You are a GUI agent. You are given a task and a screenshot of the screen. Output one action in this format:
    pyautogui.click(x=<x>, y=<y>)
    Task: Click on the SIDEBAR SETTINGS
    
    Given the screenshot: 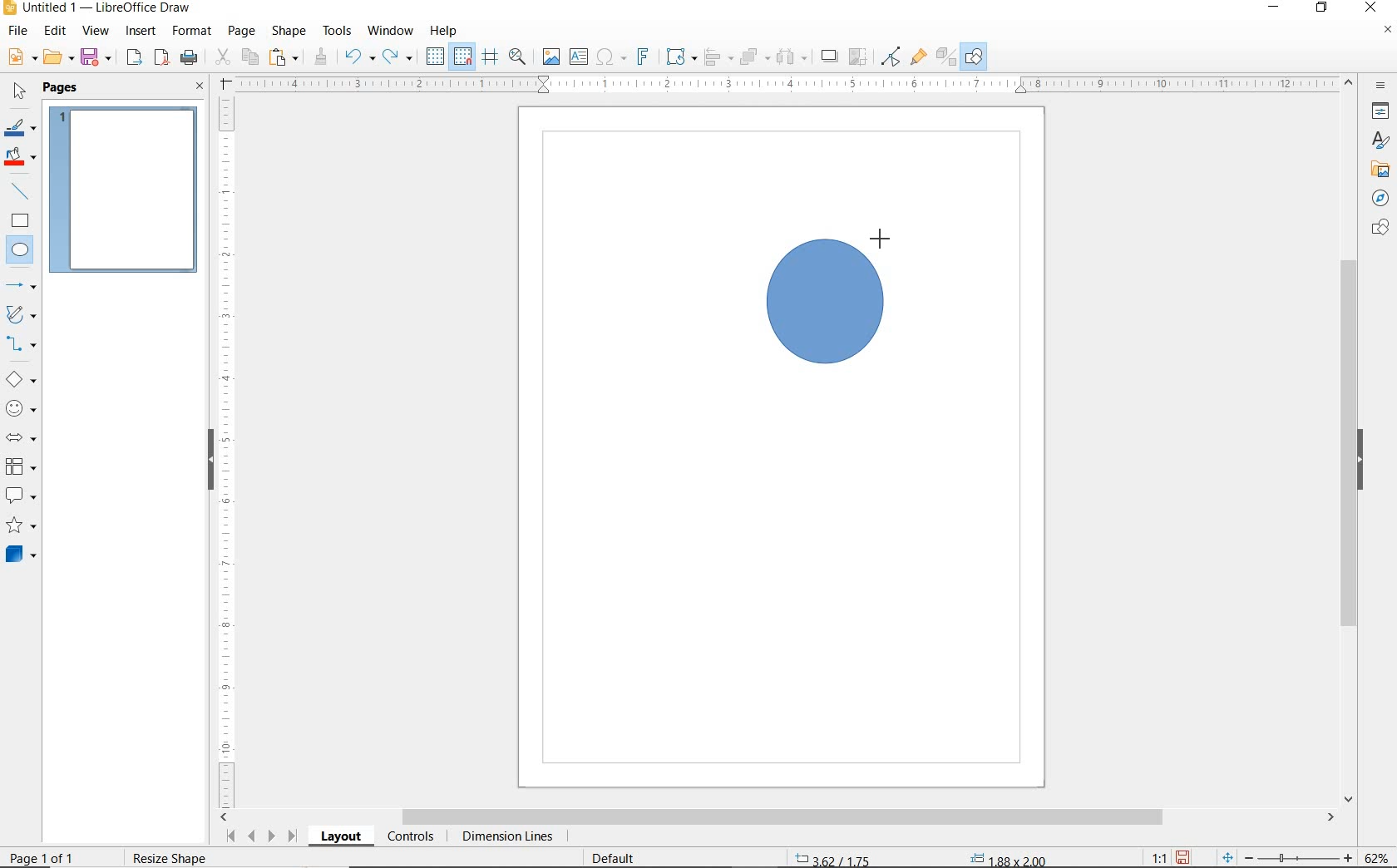 What is the action you would take?
    pyautogui.click(x=1381, y=86)
    